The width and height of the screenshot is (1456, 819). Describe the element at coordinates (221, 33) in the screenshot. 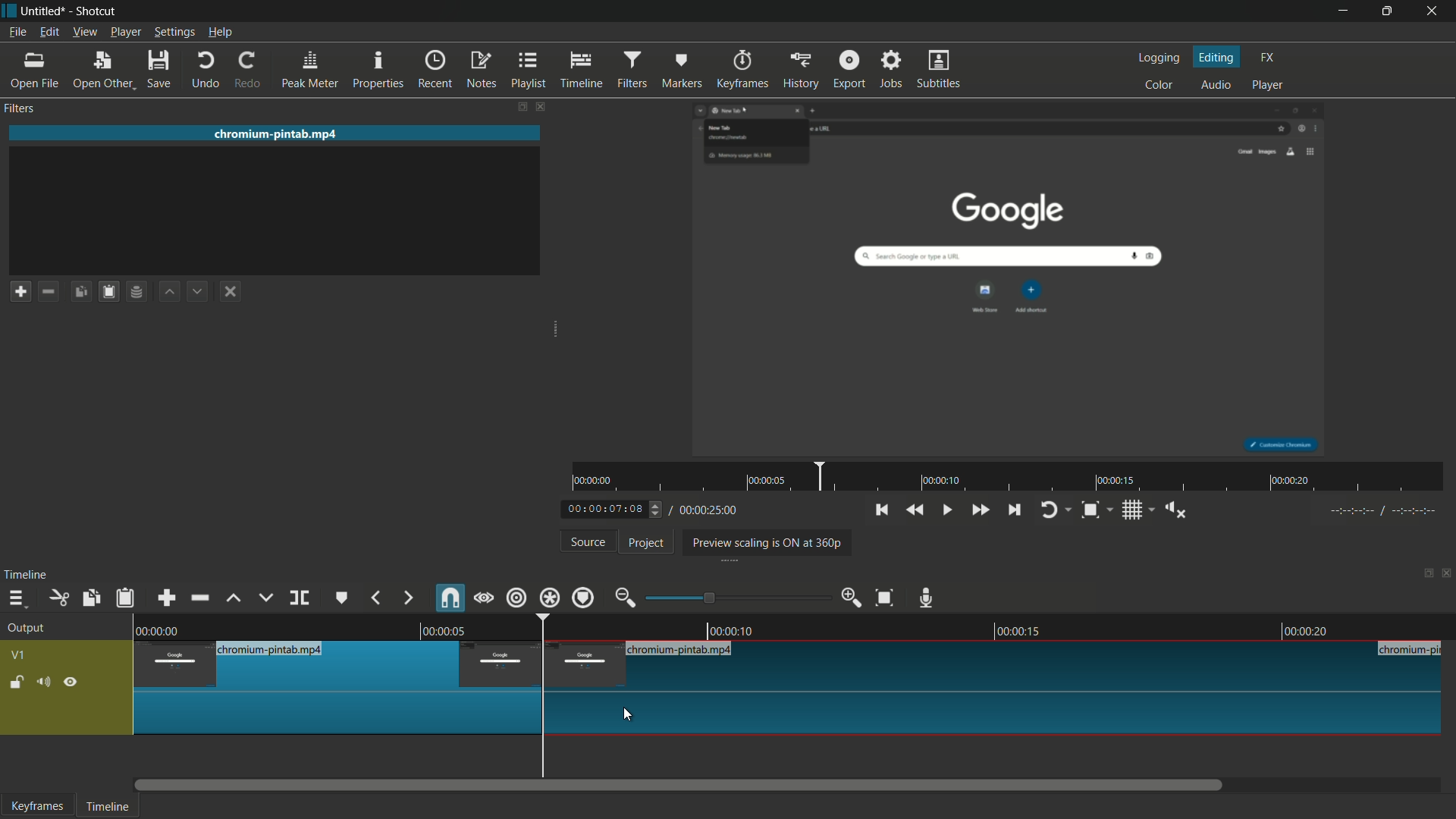

I see `help menu` at that location.